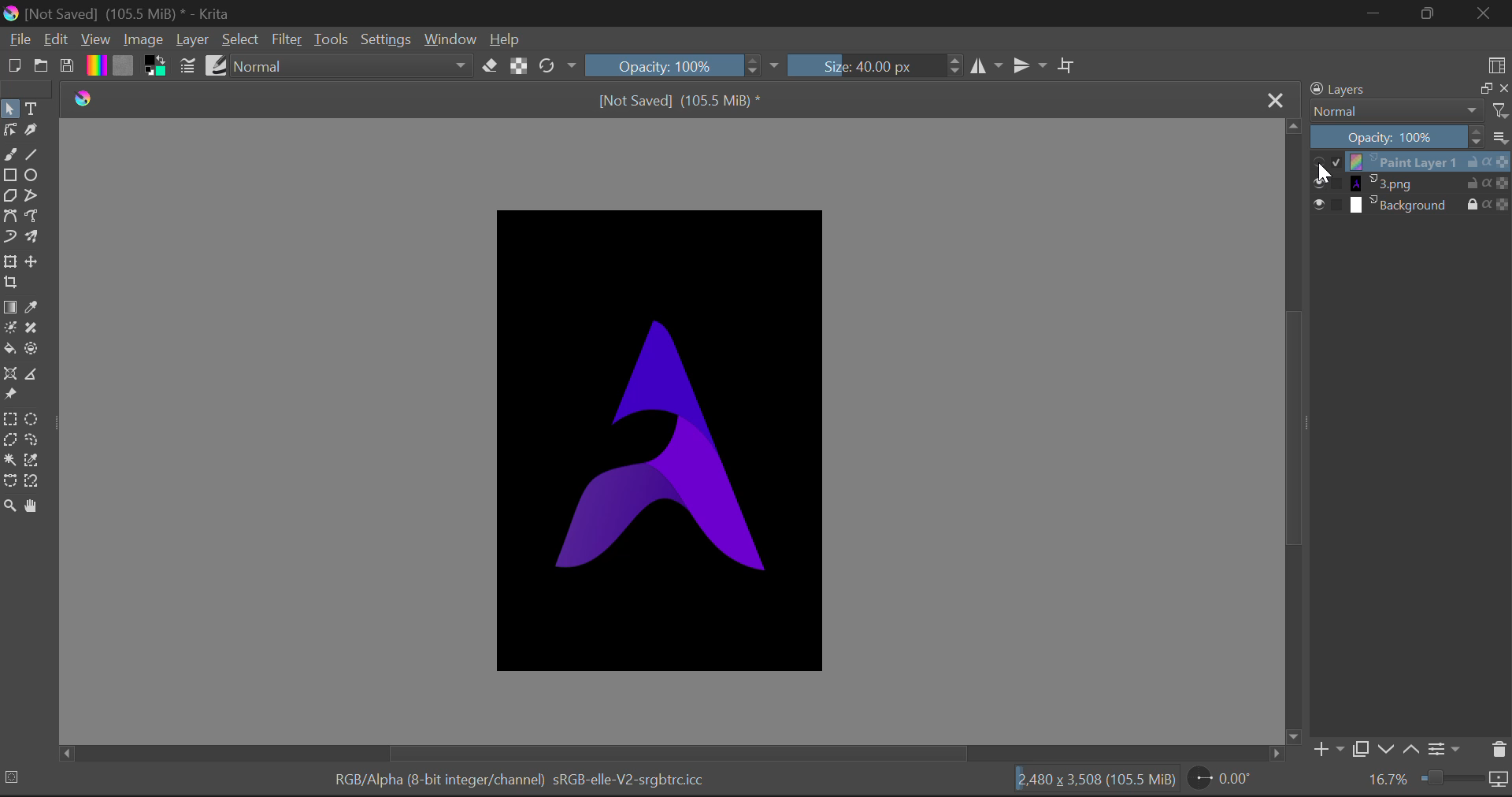 This screenshot has height=797, width=1512. I want to click on normal, so click(354, 67).